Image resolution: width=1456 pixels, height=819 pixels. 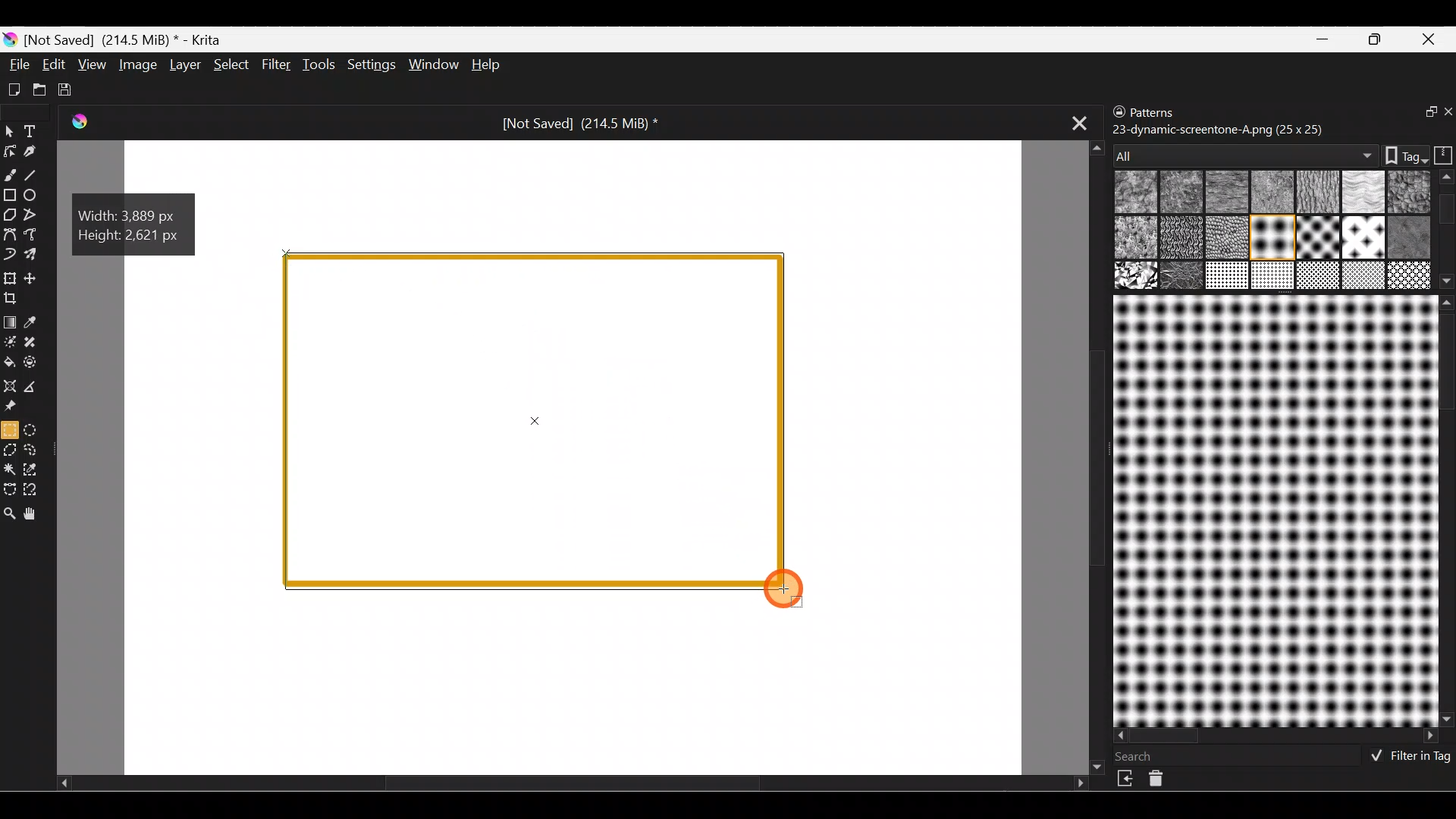 I want to click on 15 texture_rockb.png, so click(x=1183, y=277).